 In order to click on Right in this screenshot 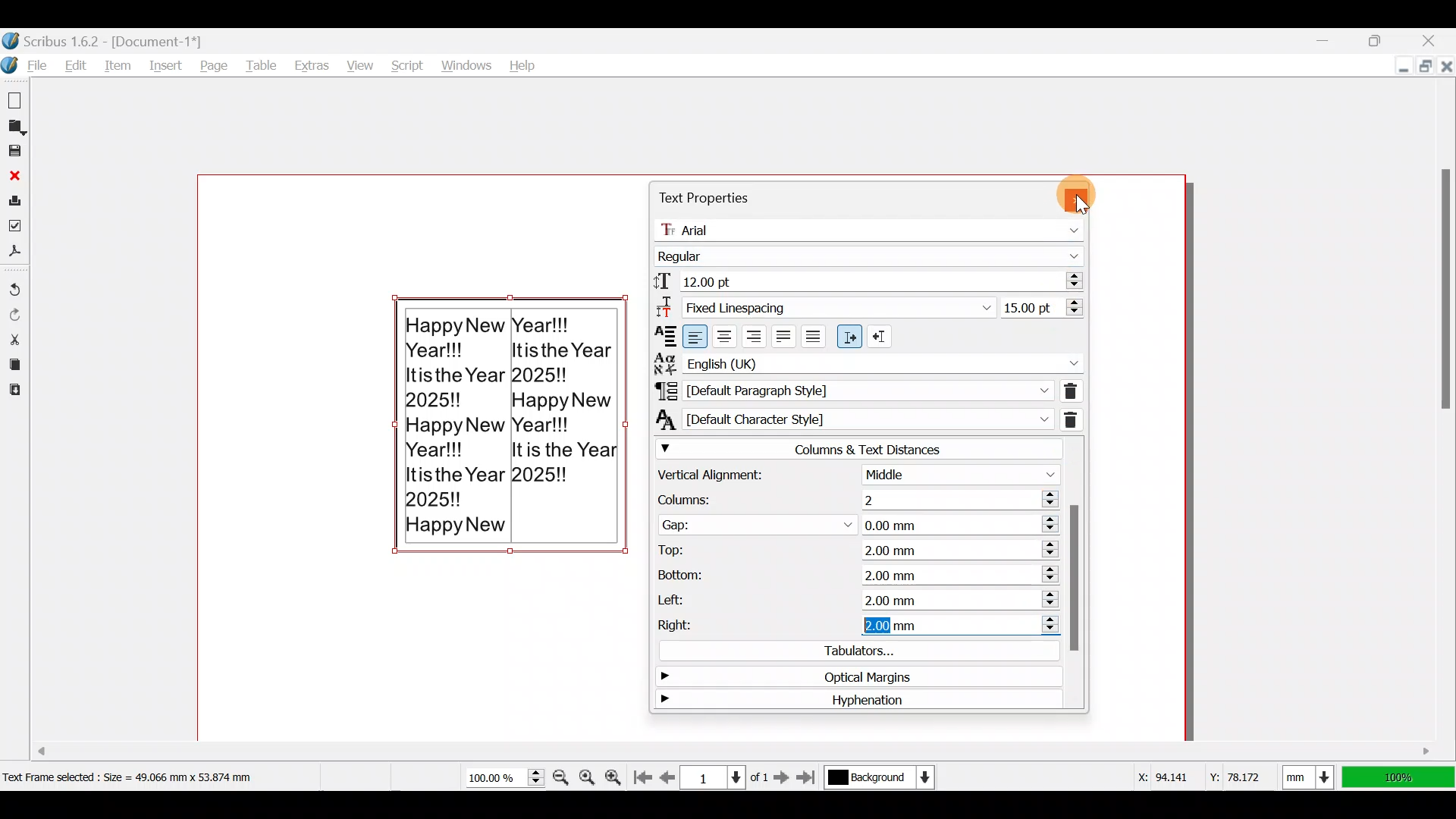, I will do `click(852, 627)`.